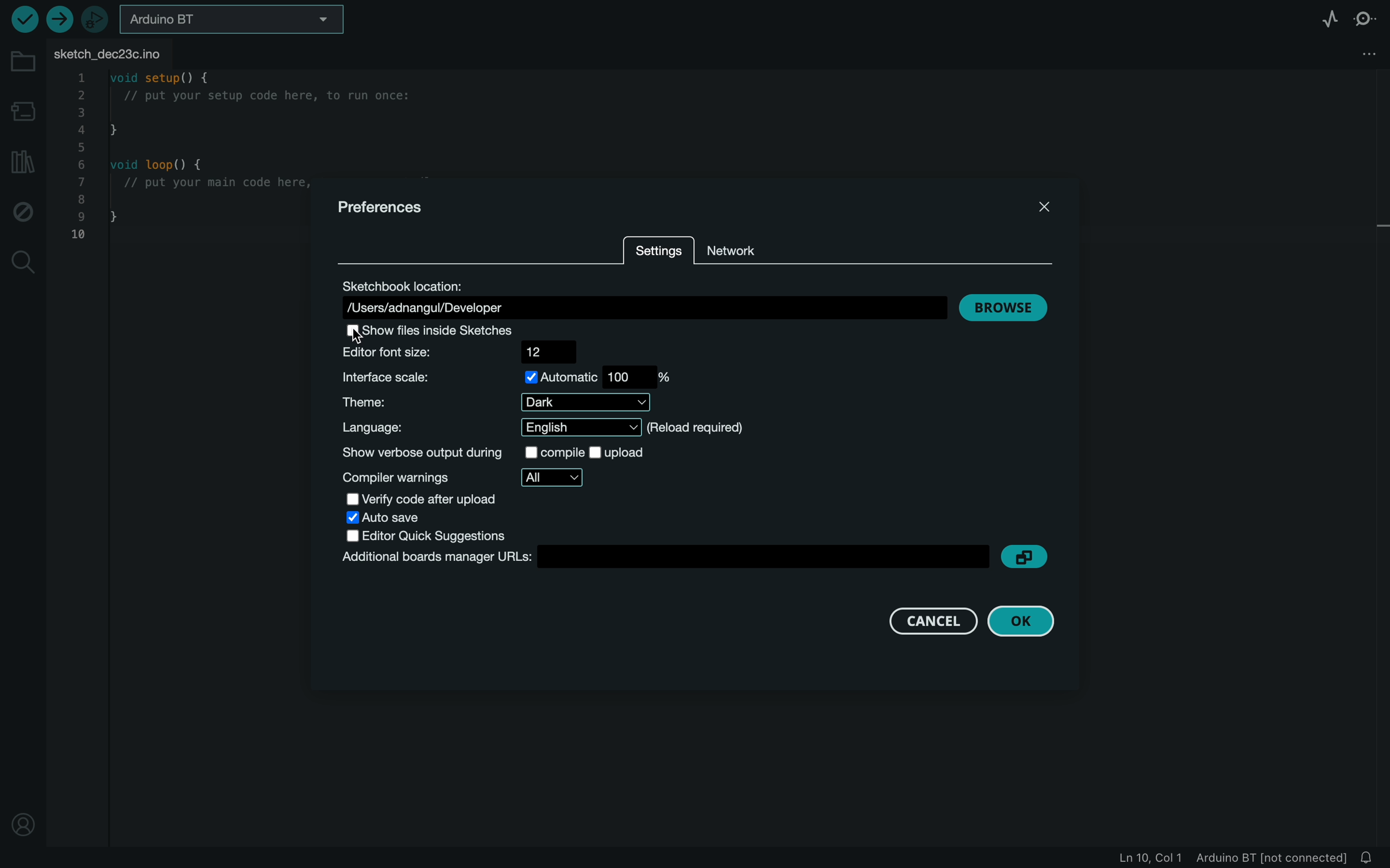 The image size is (1390, 868). I want to click on library manager, so click(22, 164).